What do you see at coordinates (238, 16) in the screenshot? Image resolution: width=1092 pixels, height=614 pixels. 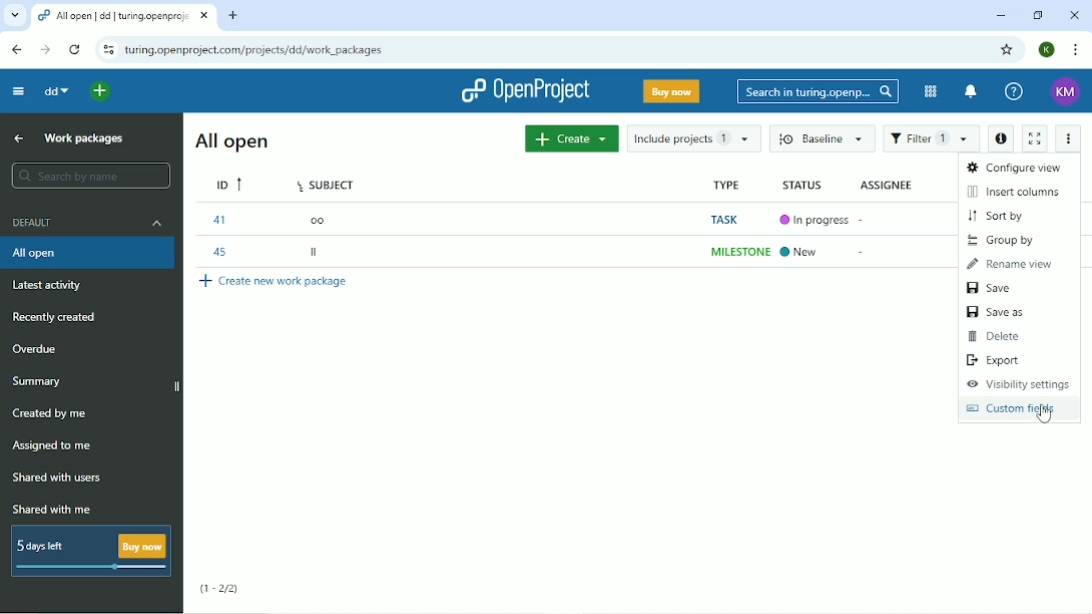 I see `new tabs` at bounding box center [238, 16].